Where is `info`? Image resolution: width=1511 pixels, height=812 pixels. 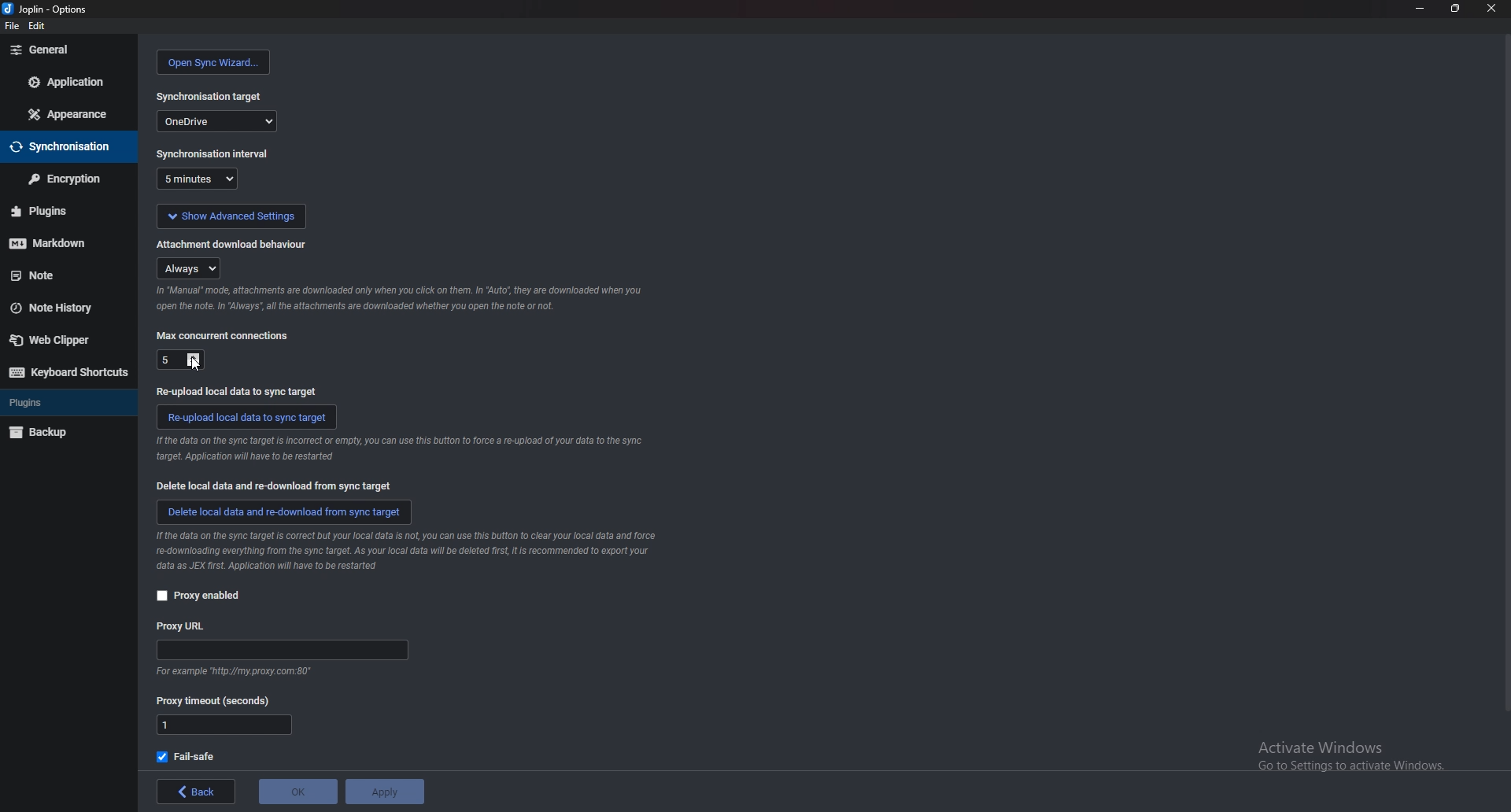 info is located at coordinates (401, 298).